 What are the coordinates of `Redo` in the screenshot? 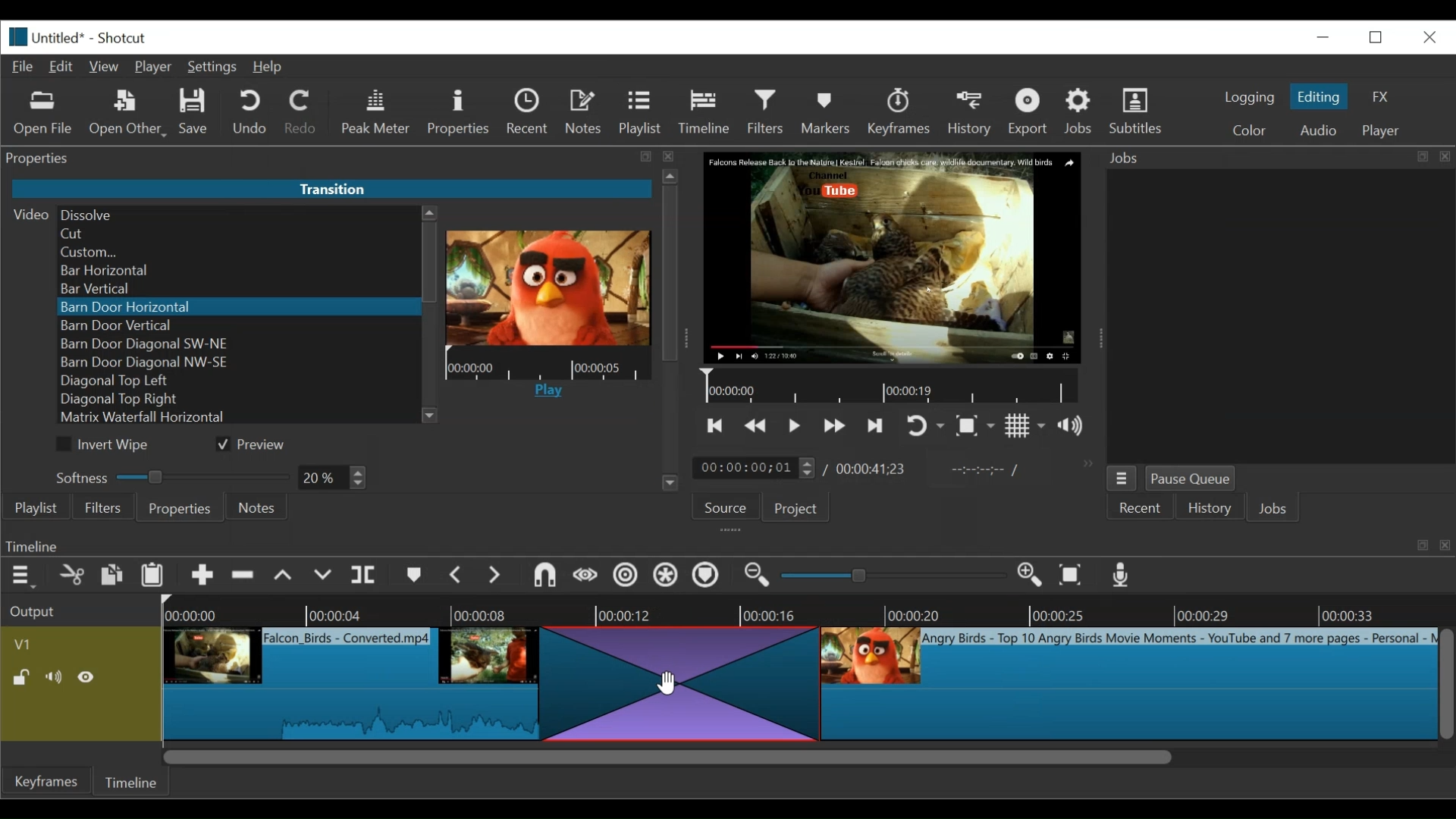 It's located at (303, 113).